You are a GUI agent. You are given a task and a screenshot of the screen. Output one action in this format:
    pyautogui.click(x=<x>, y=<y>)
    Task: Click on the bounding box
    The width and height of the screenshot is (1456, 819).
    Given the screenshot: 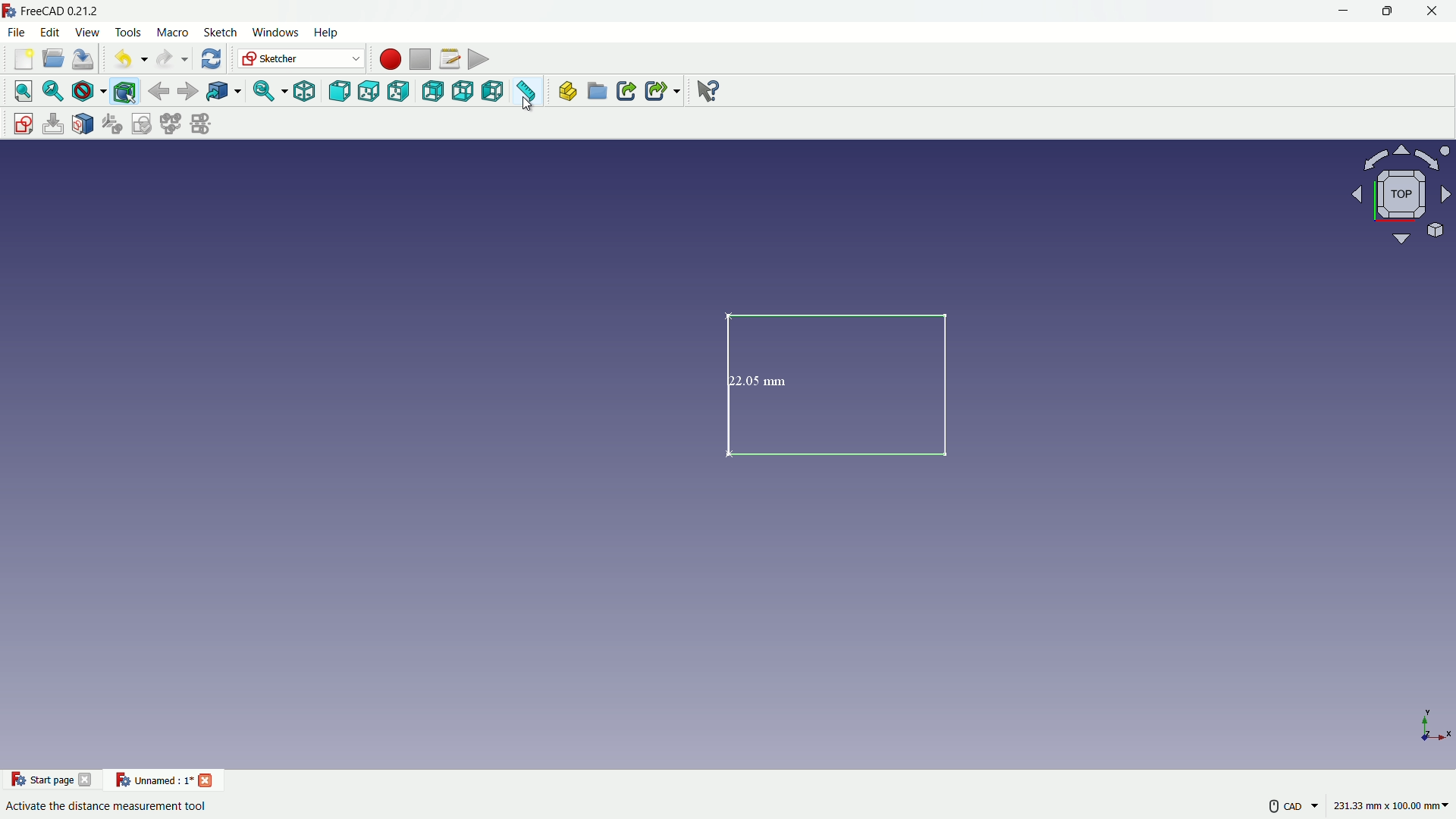 What is the action you would take?
    pyautogui.click(x=127, y=91)
    